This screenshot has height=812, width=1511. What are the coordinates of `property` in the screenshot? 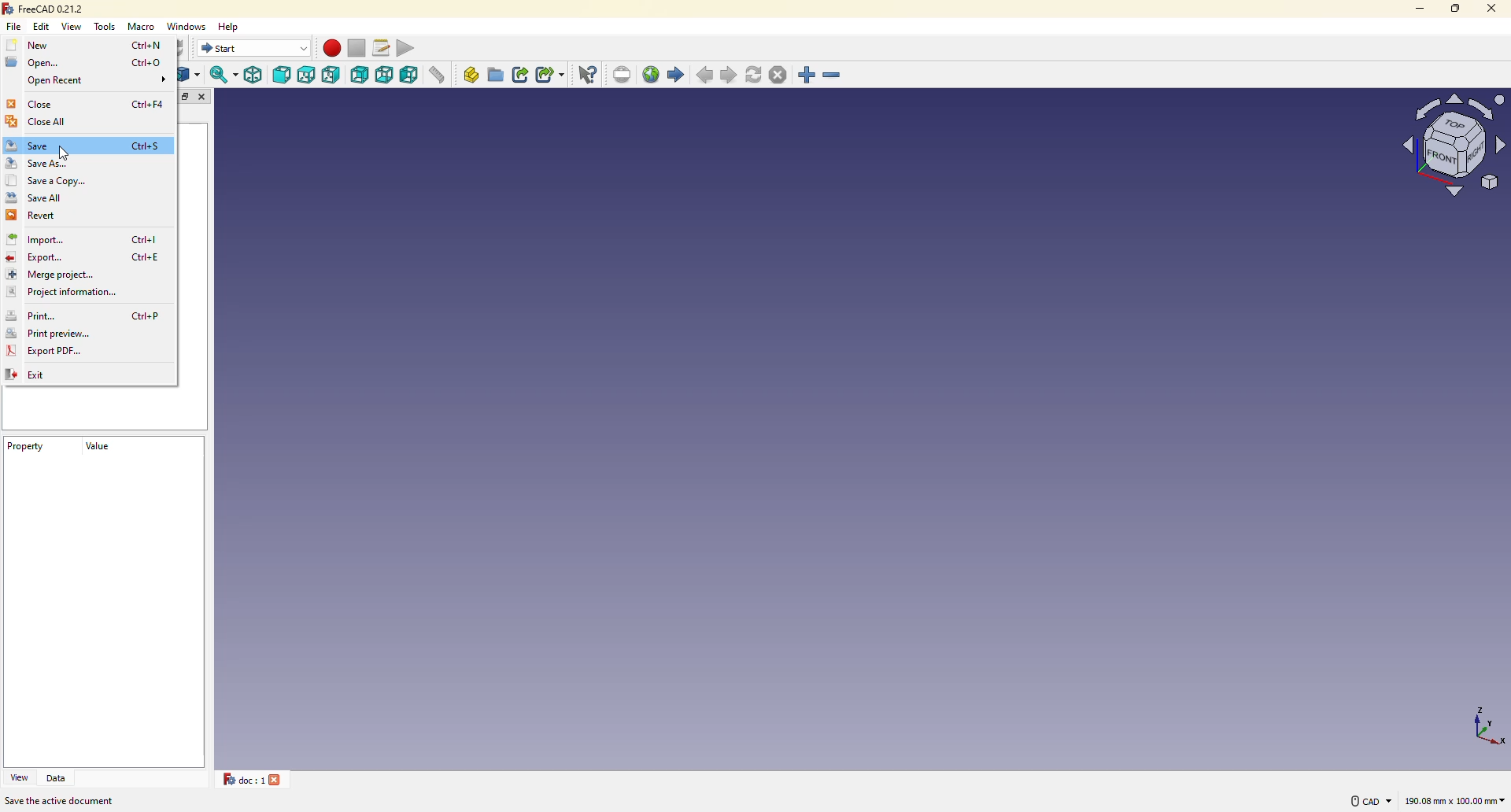 It's located at (26, 448).